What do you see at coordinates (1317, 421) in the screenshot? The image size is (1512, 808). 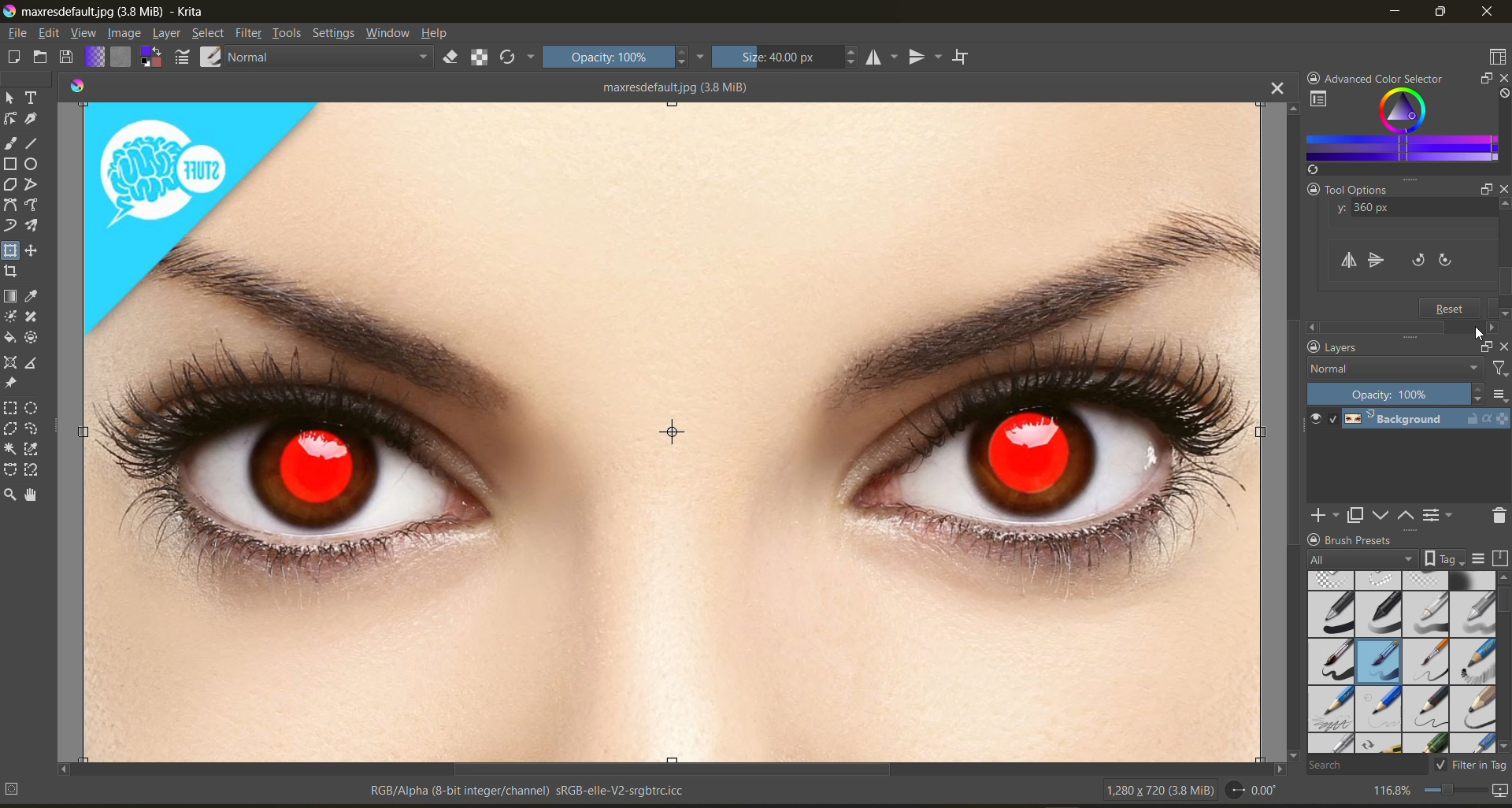 I see `preview` at bounding box center [1317, 421].